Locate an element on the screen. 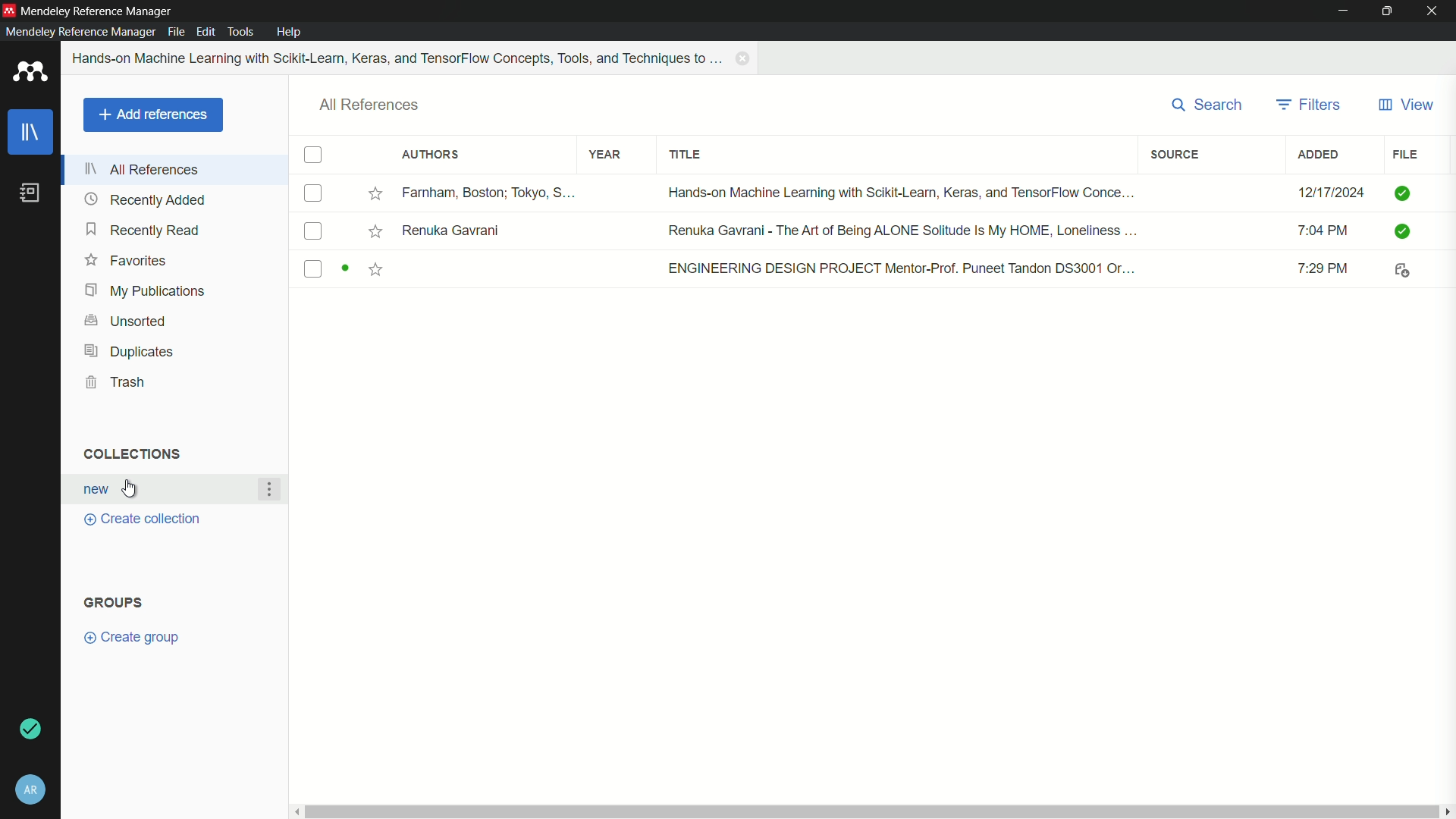  favorites is located at coordinates (126, 260).